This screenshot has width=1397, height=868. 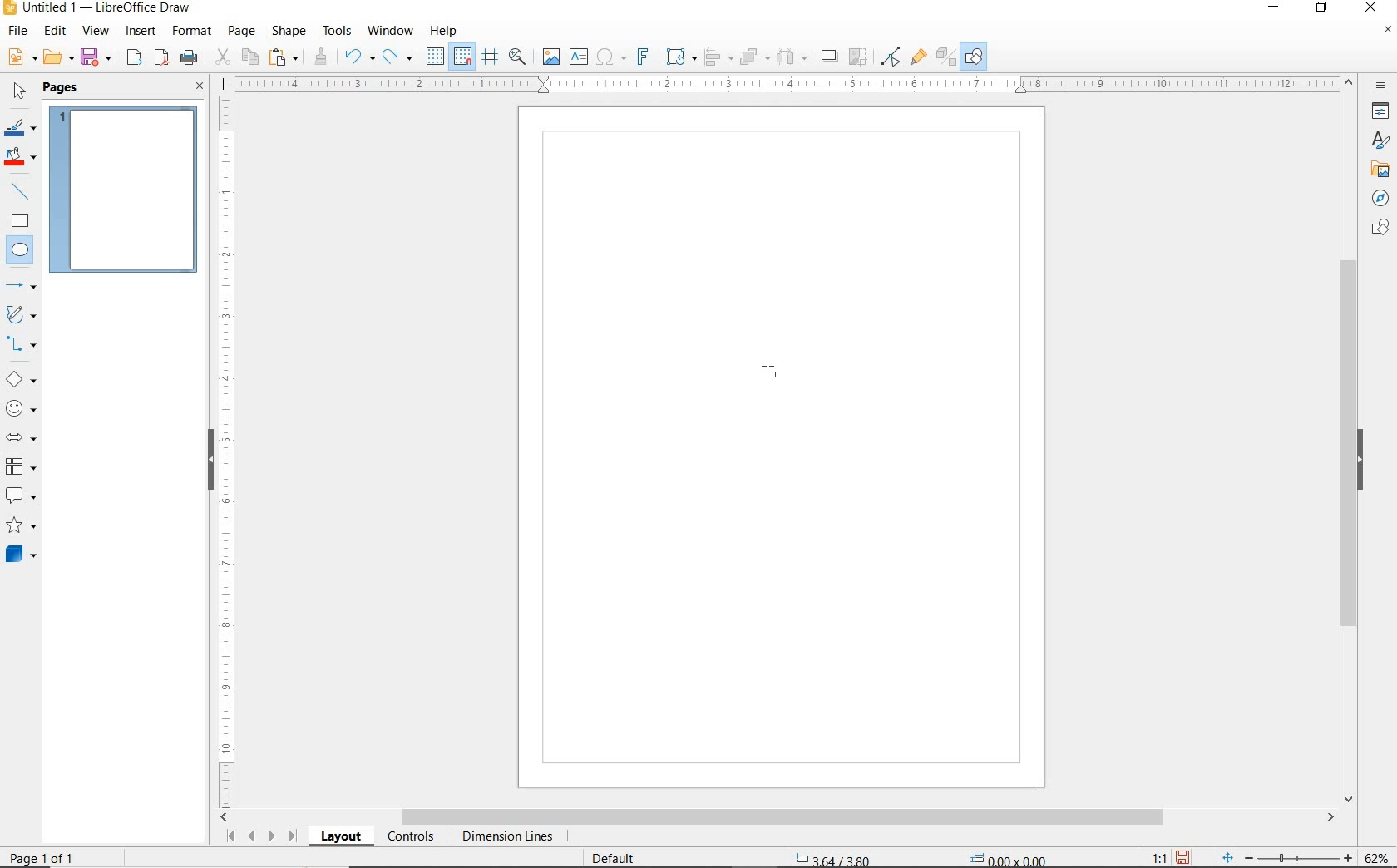 What do you see at coordinates (517, 56) in the screenshot?
I see `ZOOM & PAN` at bounding box center [517, 56].